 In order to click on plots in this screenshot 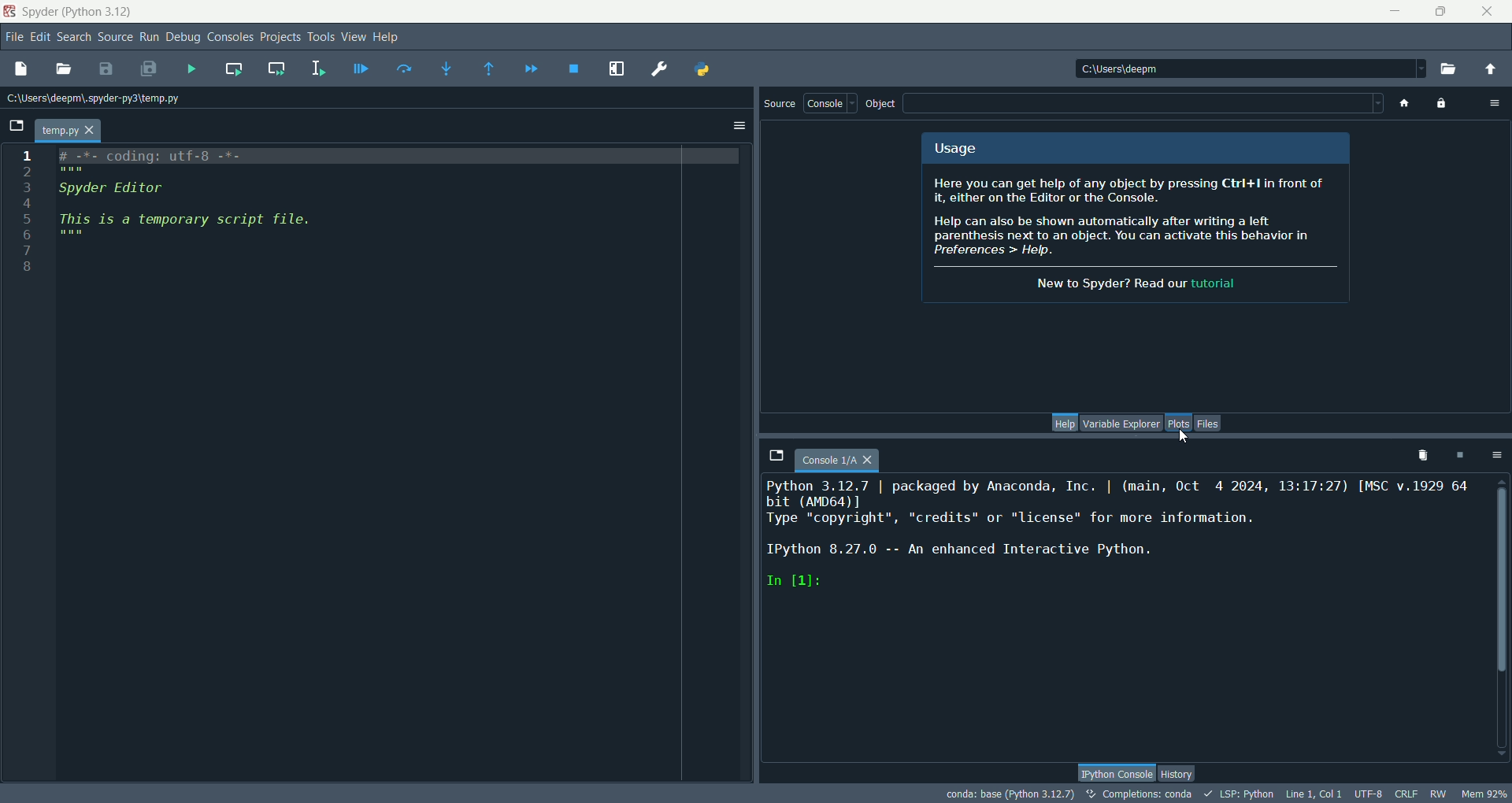, I will do `click(1176, 424)`.